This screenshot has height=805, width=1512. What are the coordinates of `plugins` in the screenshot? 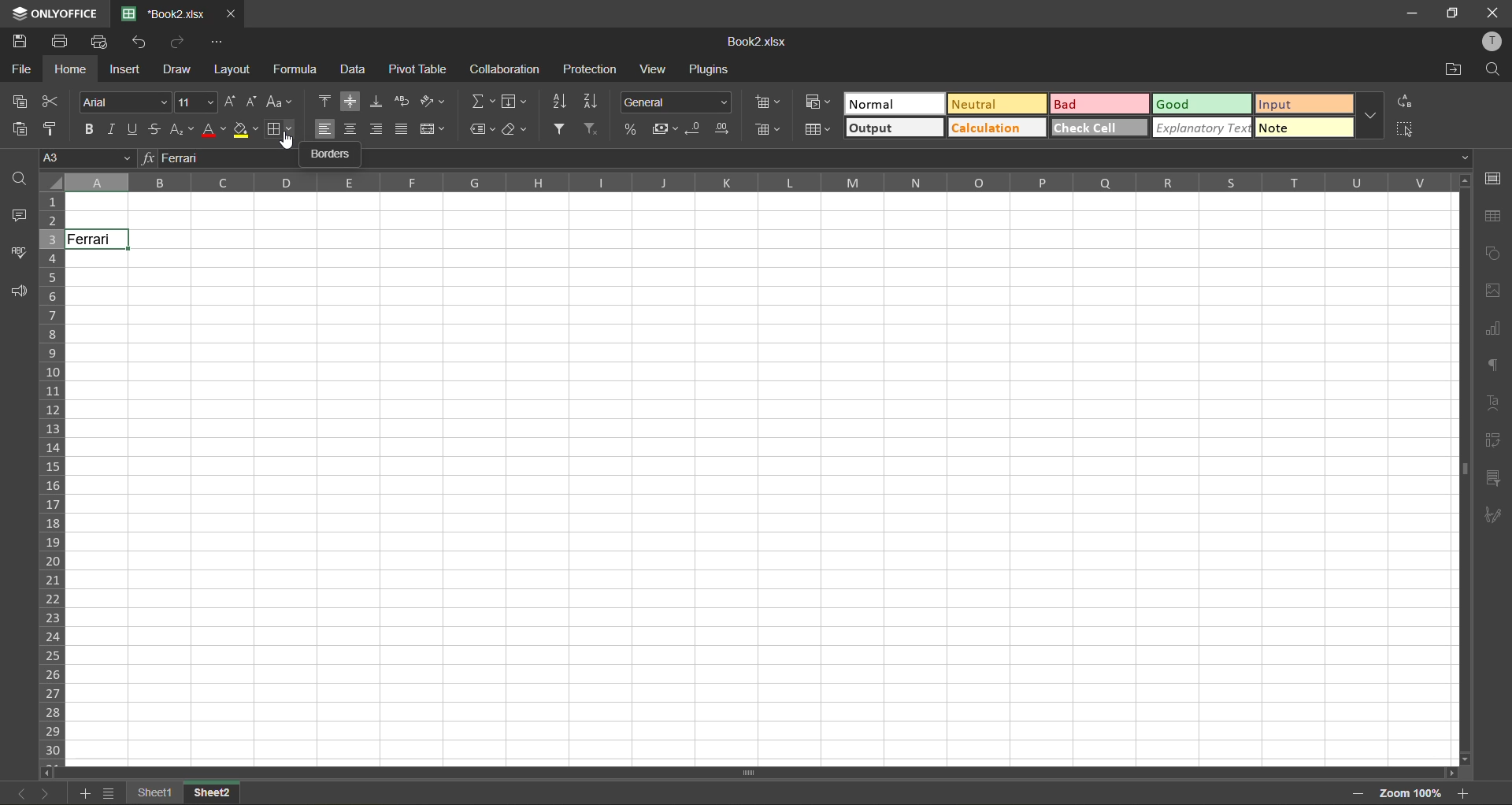 It's located at (711, 69).